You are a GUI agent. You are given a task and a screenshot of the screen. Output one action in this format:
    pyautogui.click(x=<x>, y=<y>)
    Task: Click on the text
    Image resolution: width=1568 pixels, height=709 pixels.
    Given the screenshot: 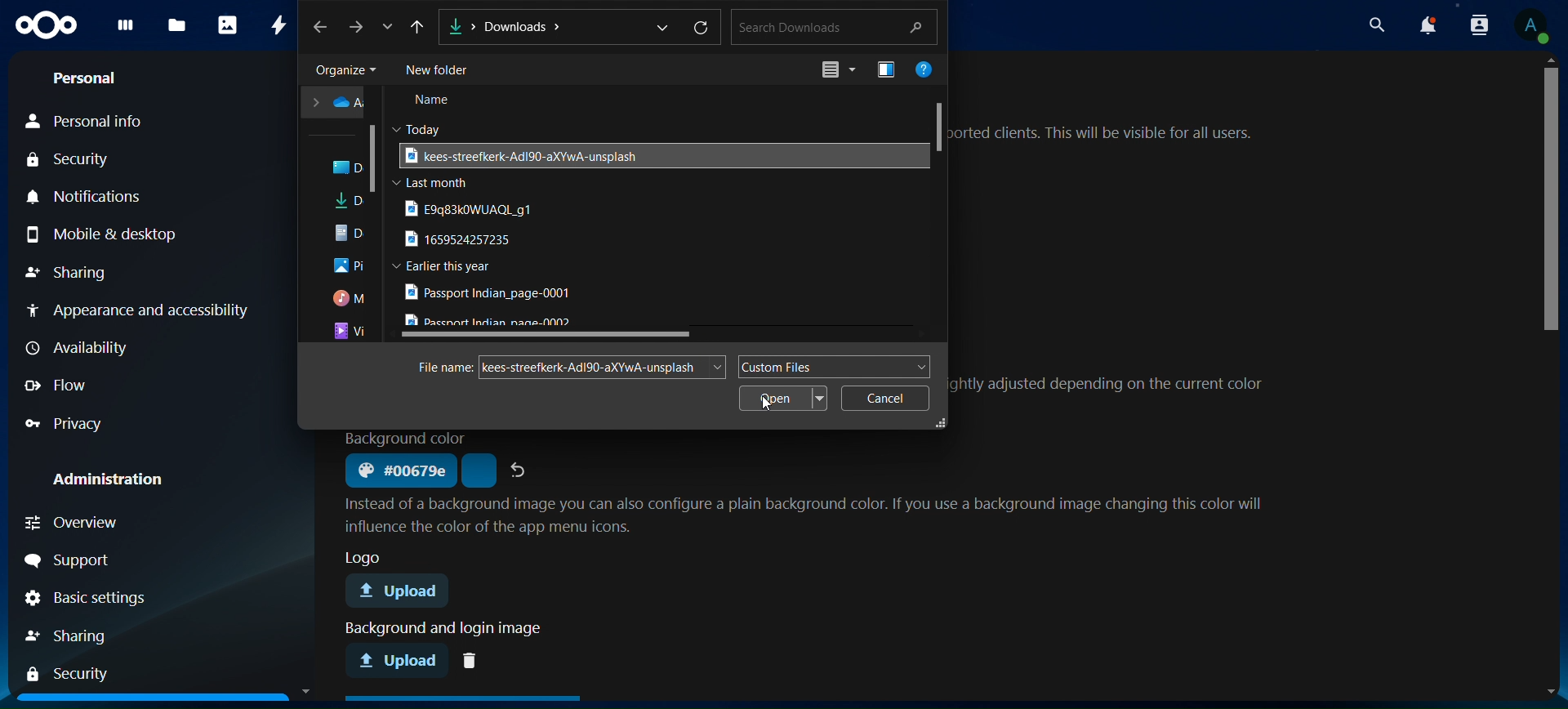 What is the action you would take?
    pyautogui.click(x=367, y=558)
    